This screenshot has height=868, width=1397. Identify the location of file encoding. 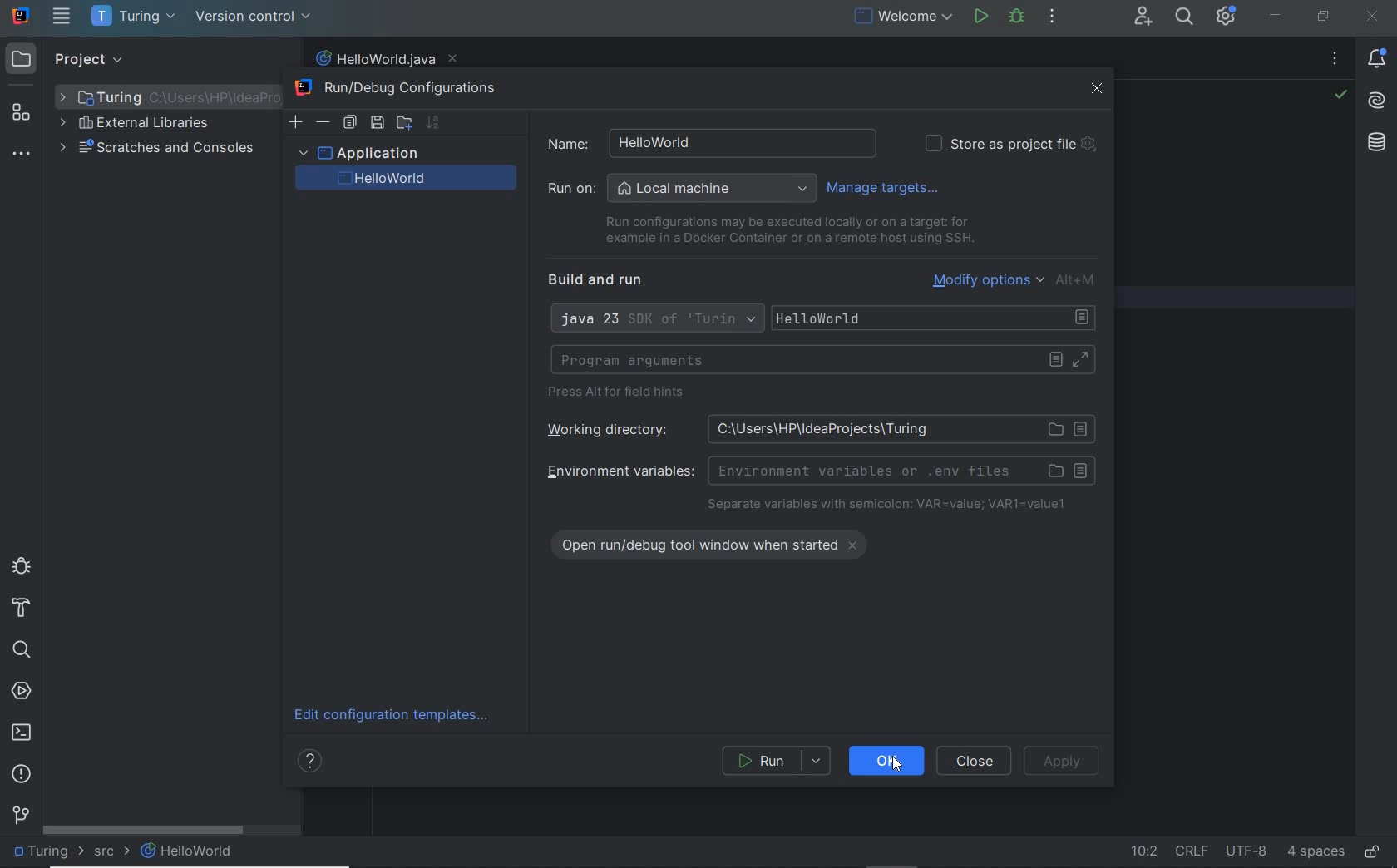
(1247, 851).